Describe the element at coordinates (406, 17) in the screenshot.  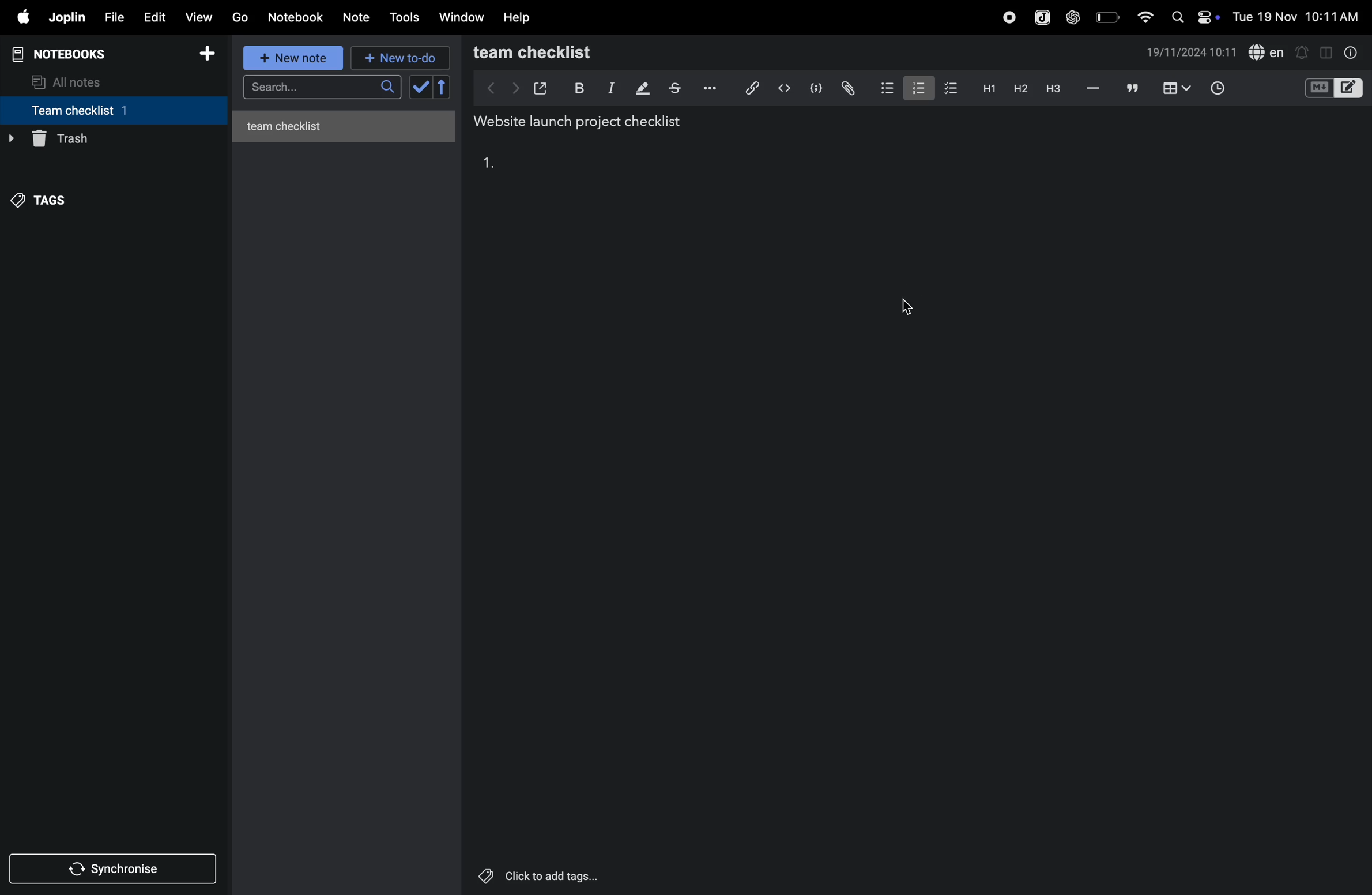
I see `tools` at that location.